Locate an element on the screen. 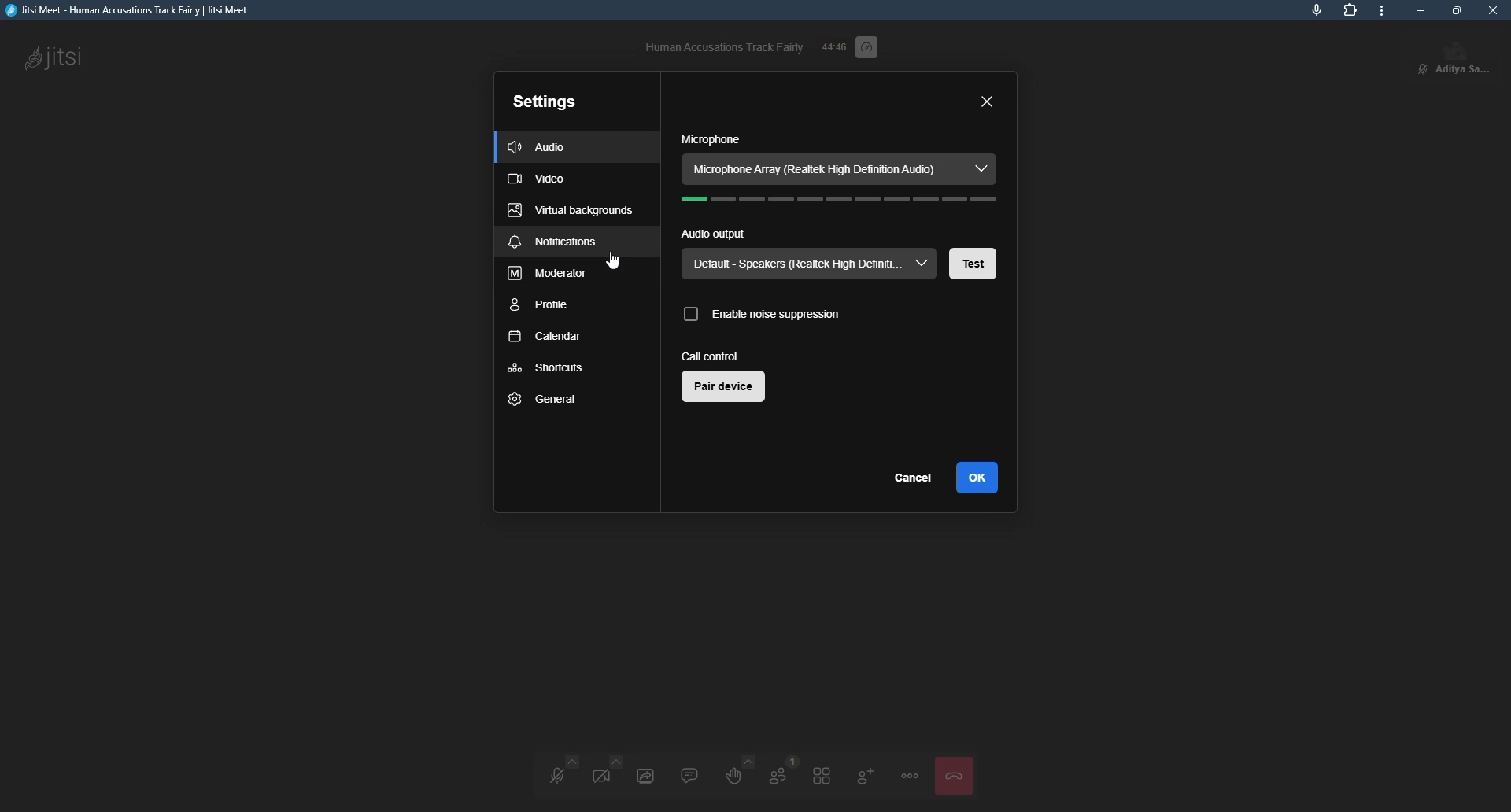  invite people is located at coordinates (864, 774).